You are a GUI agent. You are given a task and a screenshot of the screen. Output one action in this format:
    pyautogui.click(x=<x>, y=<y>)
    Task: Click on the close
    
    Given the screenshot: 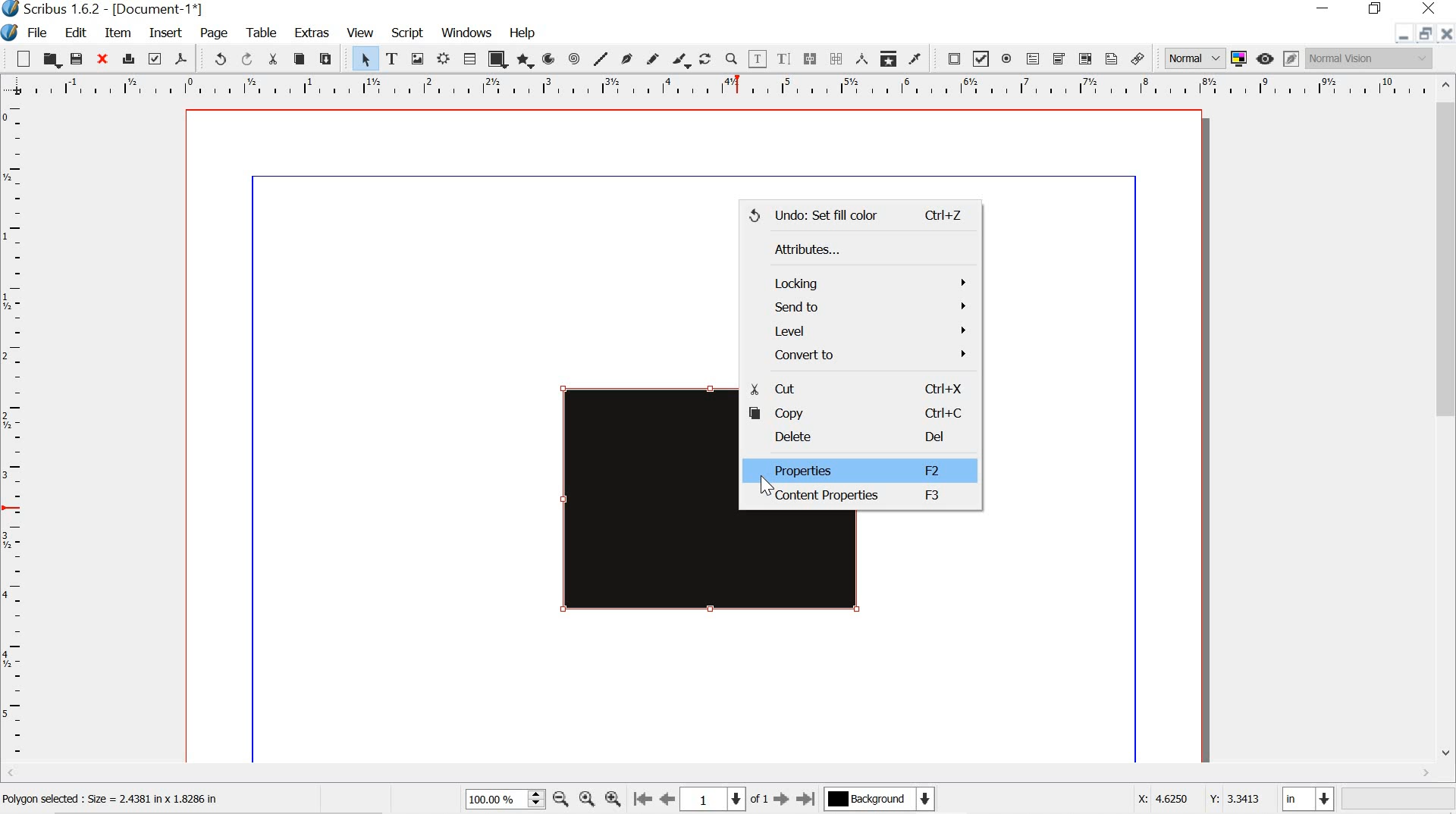 What is the action you would take?
    pyautogui.click(x=1429, y=9)
    